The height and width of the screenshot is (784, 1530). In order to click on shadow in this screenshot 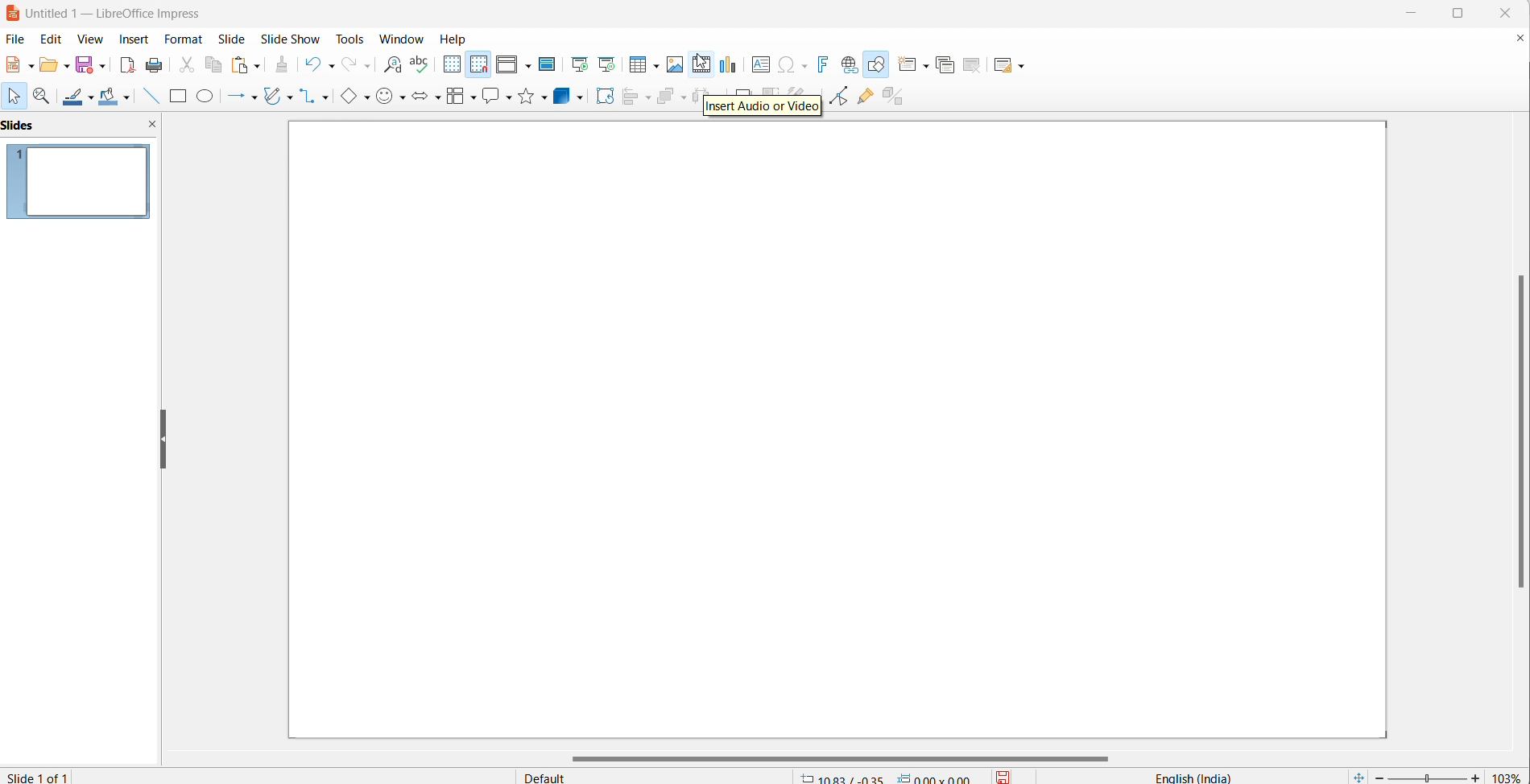, I will do `click(740, 88)`.